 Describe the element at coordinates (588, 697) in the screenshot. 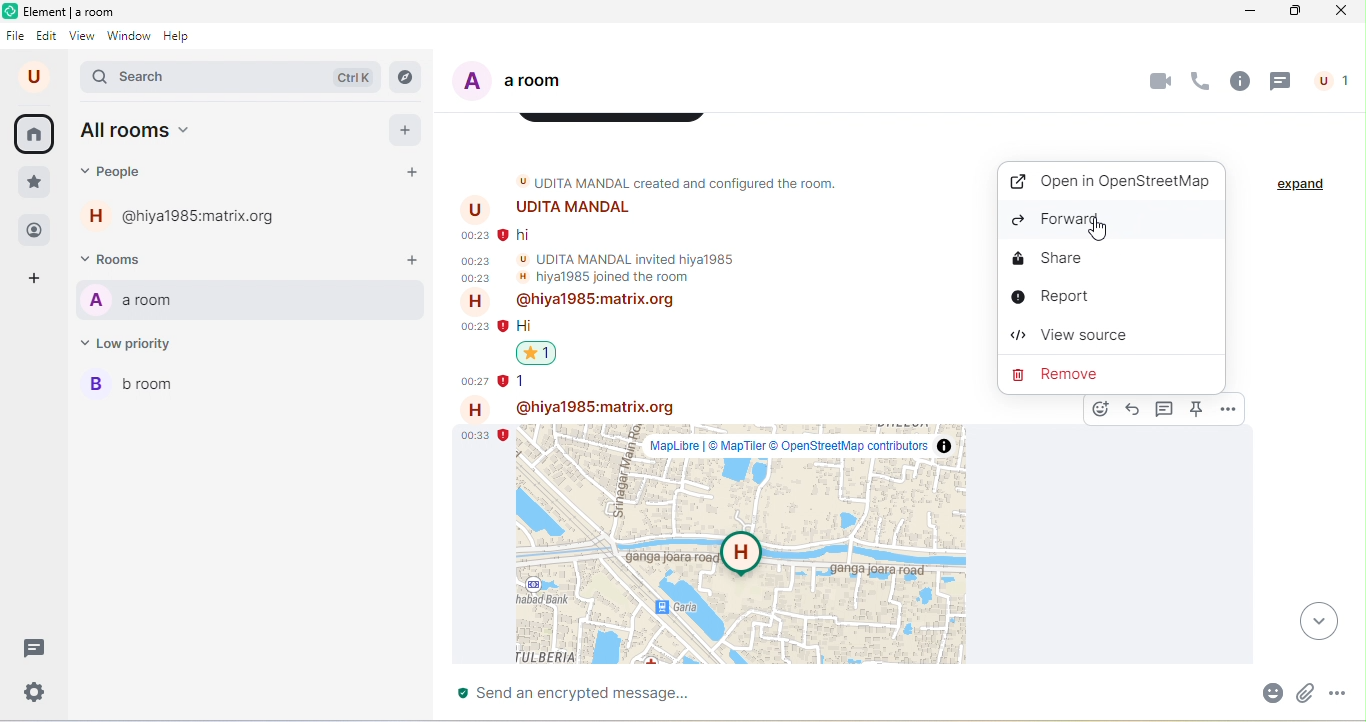

I see `send an encrypted message` at that location.